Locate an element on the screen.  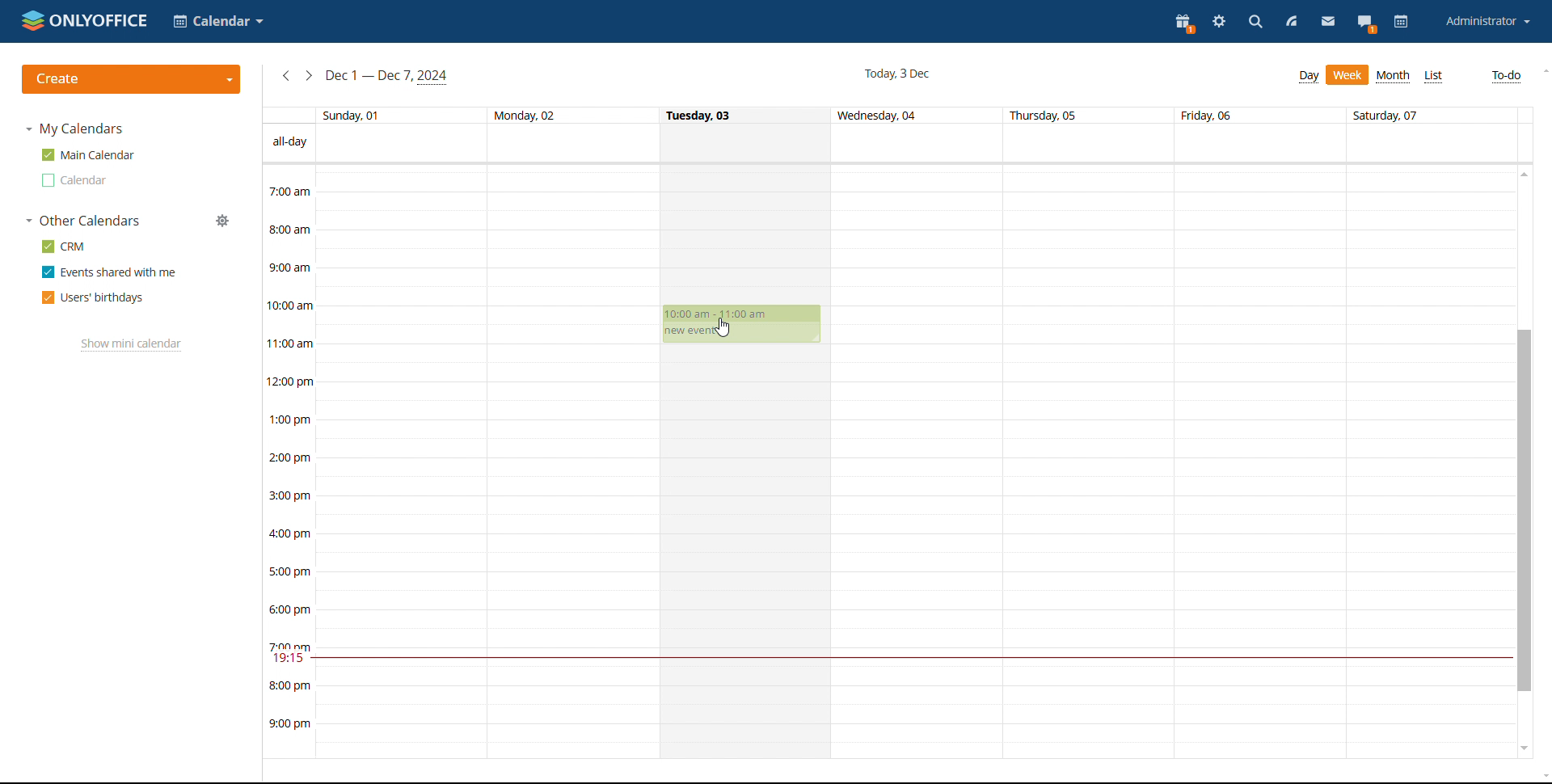
manage is located at coordinates (223, 221).